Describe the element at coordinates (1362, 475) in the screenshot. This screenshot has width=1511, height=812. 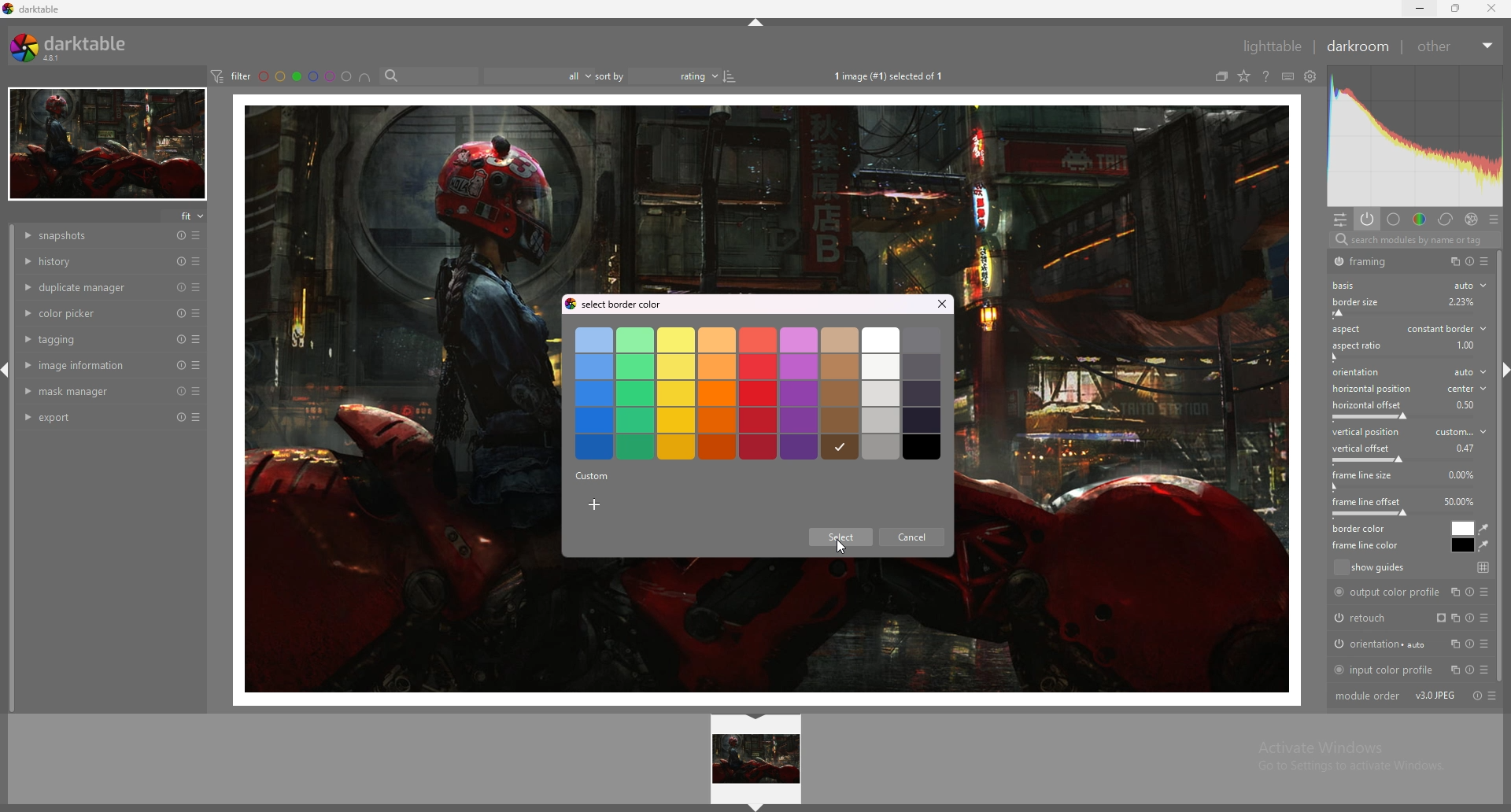
I see `frame line size` at that location.